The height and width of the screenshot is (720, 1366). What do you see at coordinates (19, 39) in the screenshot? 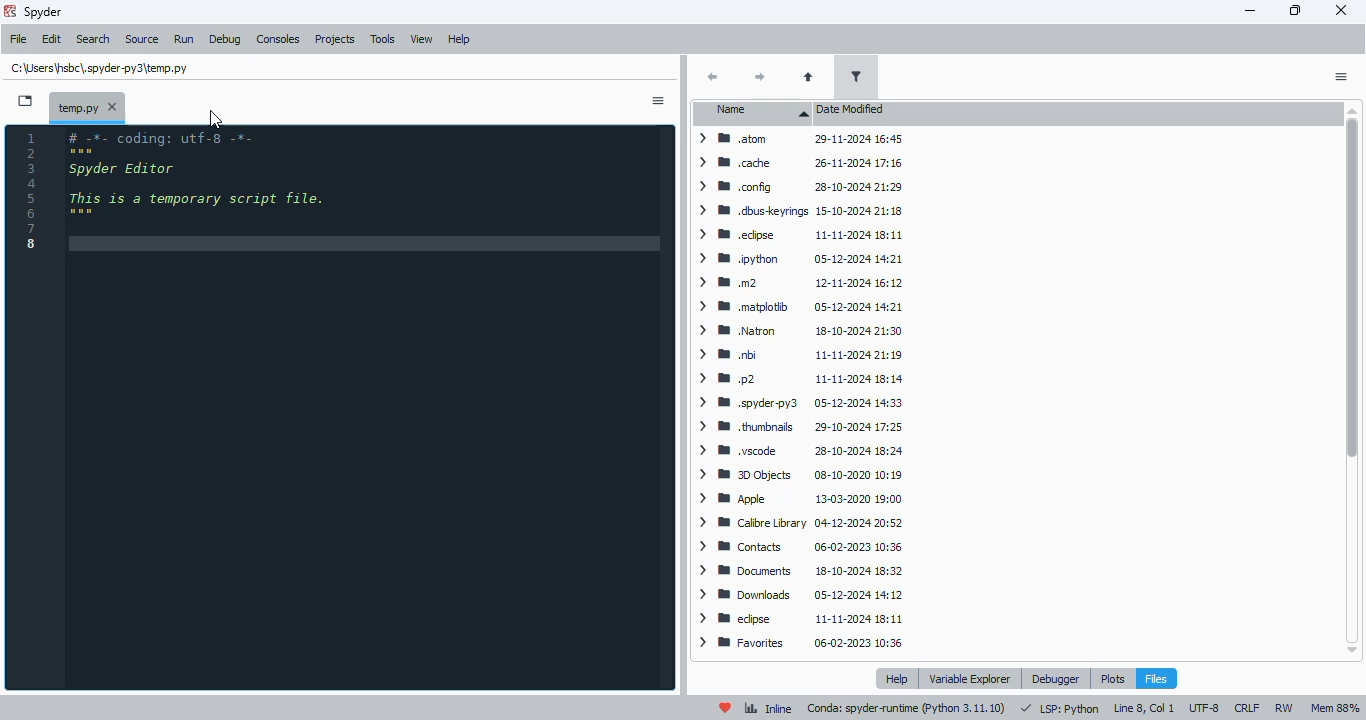
I see `file` at bounding box center [19, 39].